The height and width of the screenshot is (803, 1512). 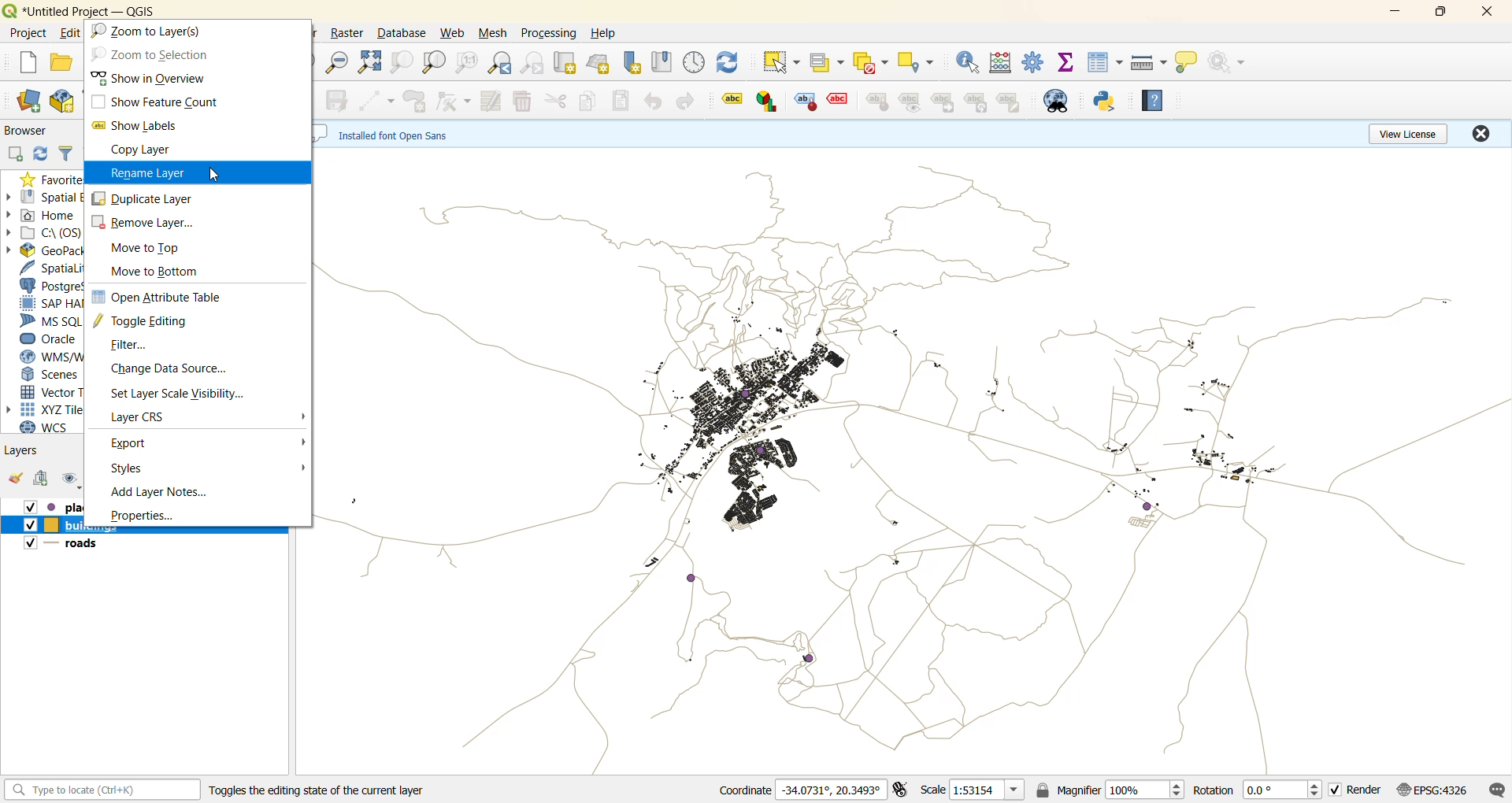 What do you see at coordinates (870, 61) in the screenshot?
I see `deselect value` at bounding box center [870, 61].